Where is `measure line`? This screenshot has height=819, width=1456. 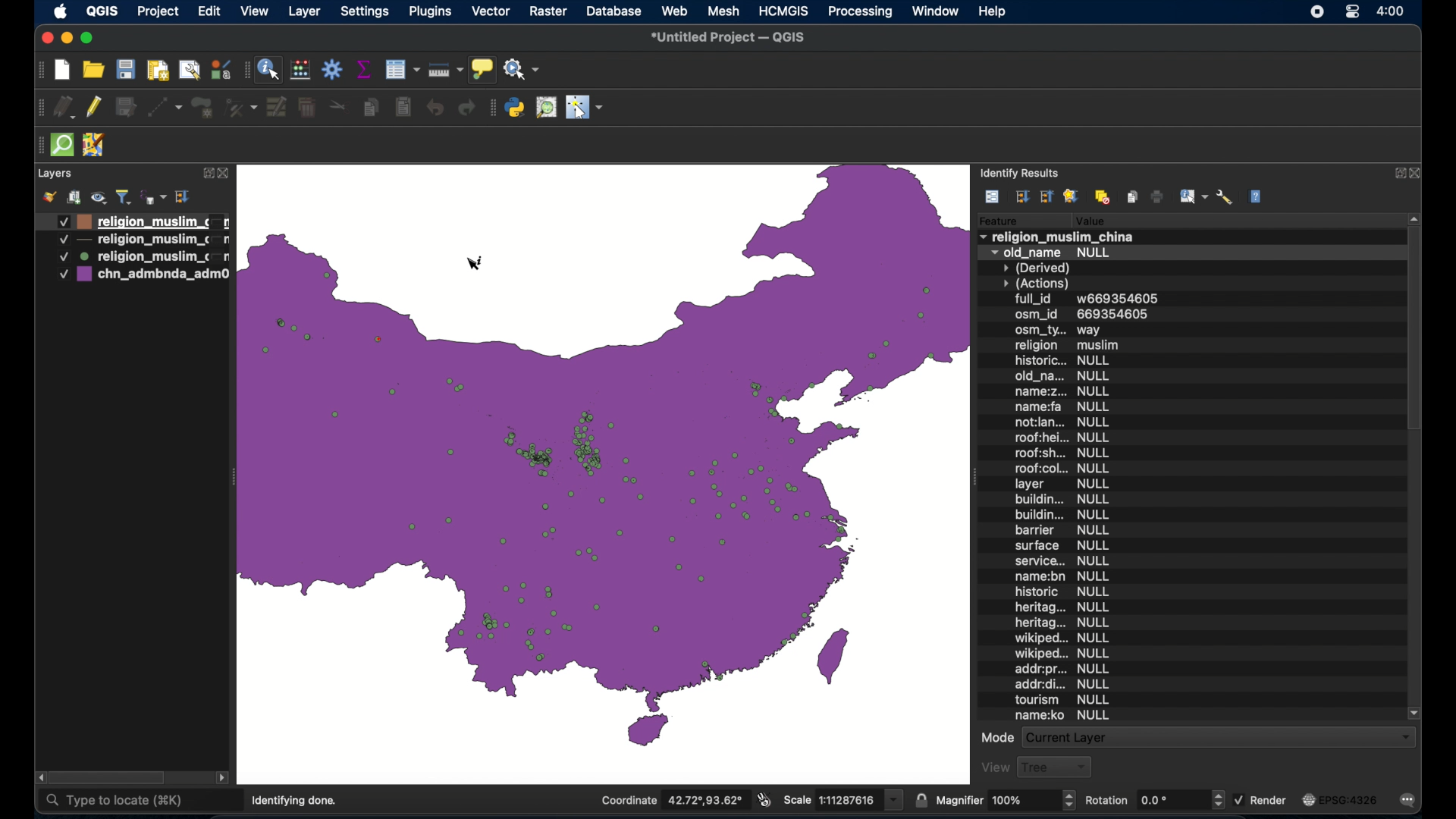 measure line is located at coordinates (447, 70).